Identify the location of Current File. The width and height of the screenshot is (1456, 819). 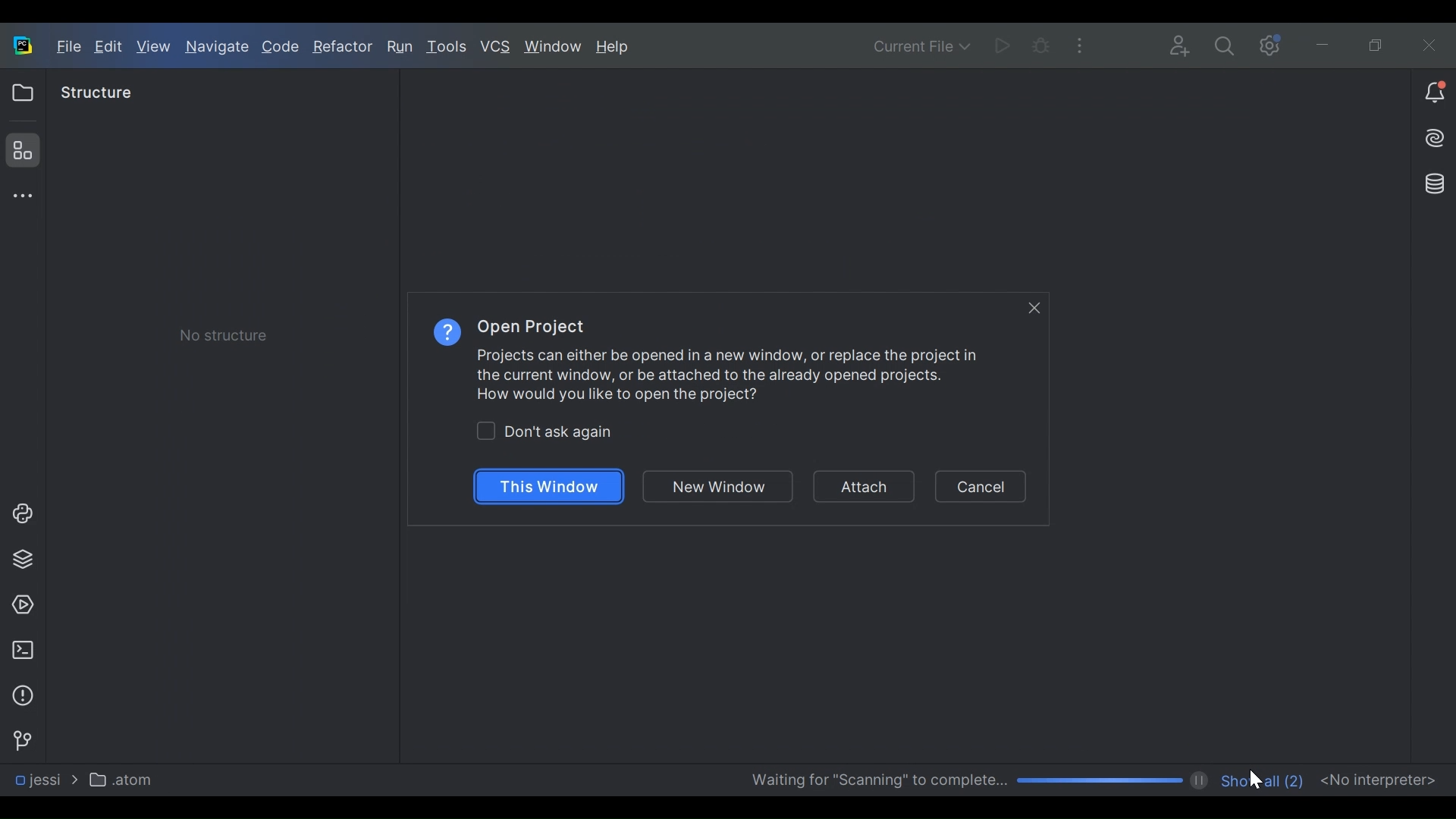
(921, 45).